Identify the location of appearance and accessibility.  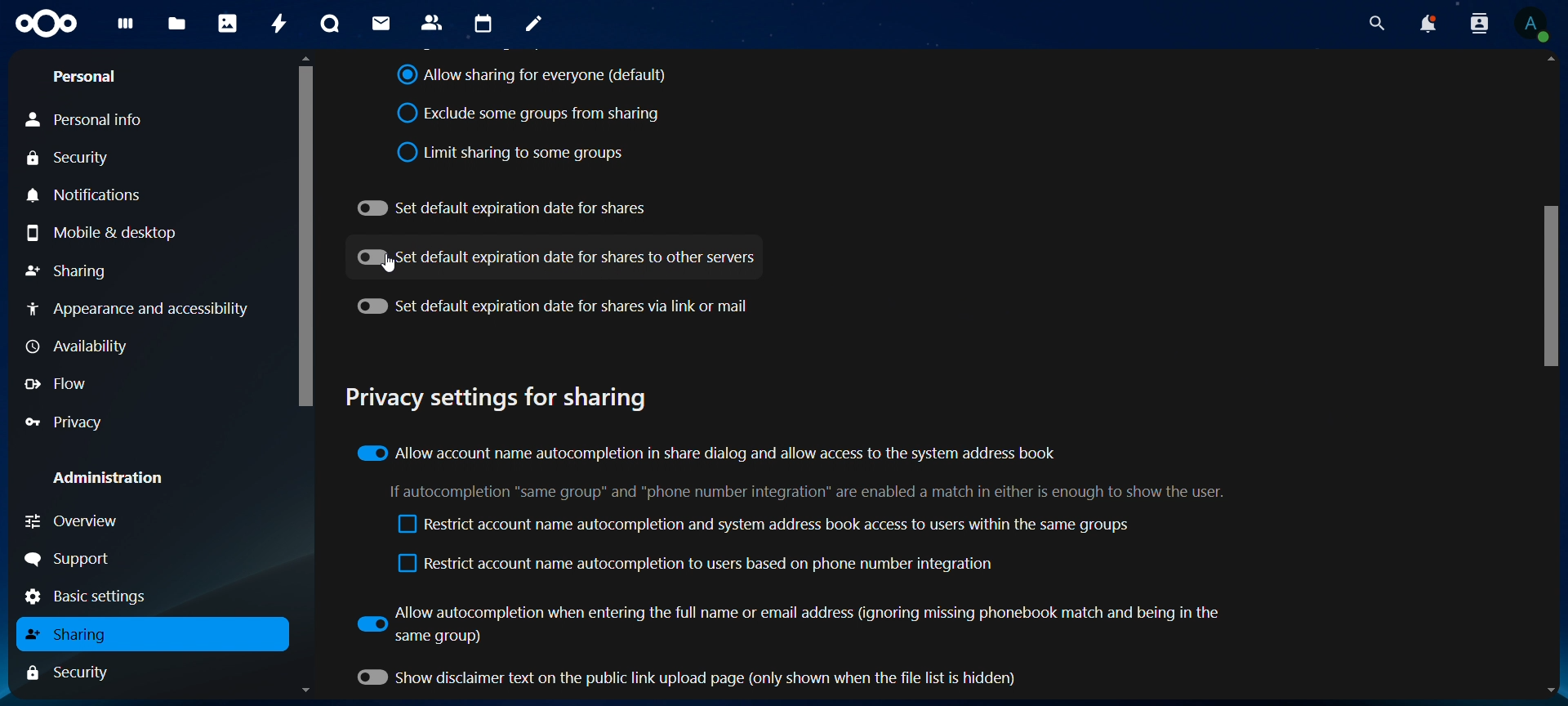
(143, 308).